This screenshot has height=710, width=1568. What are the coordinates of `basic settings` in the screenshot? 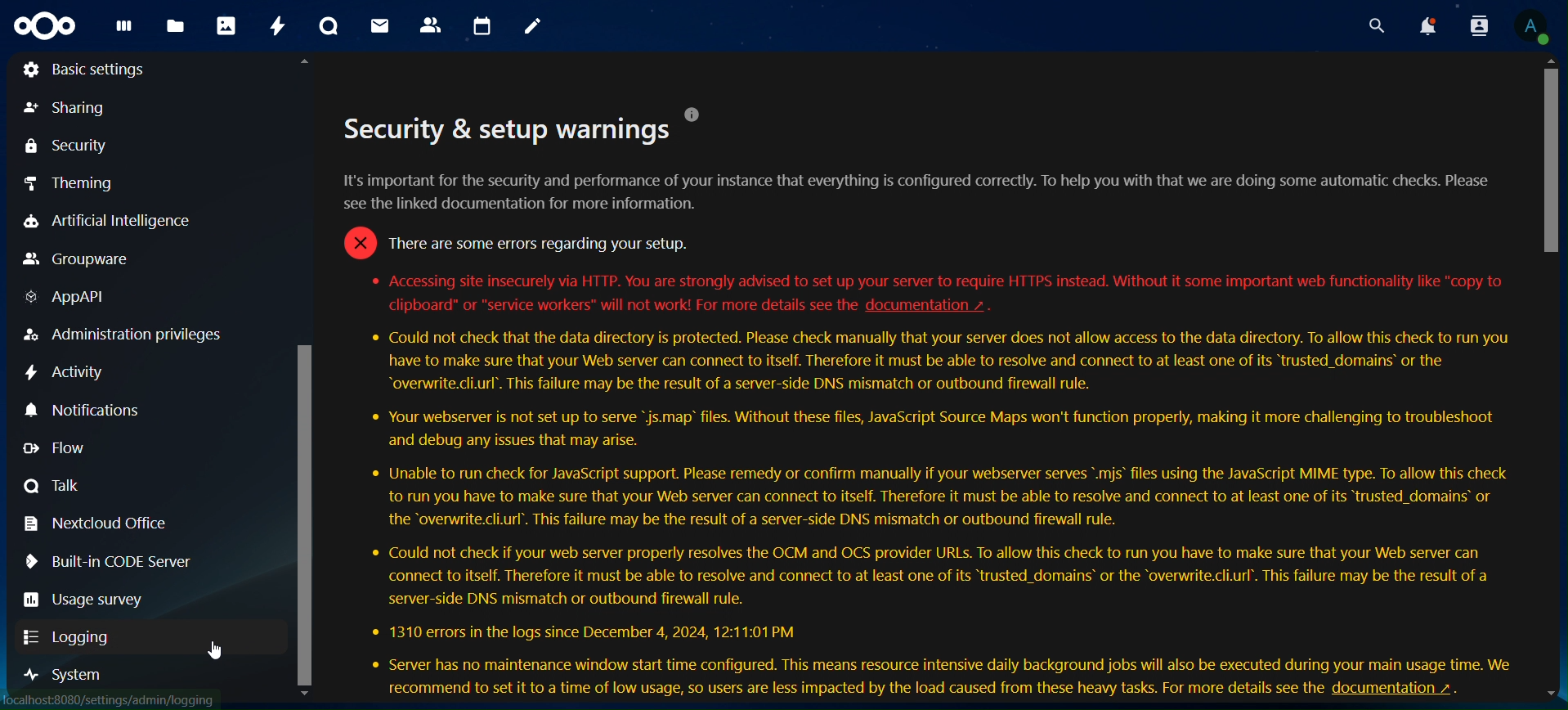 It's located at (87, 70).